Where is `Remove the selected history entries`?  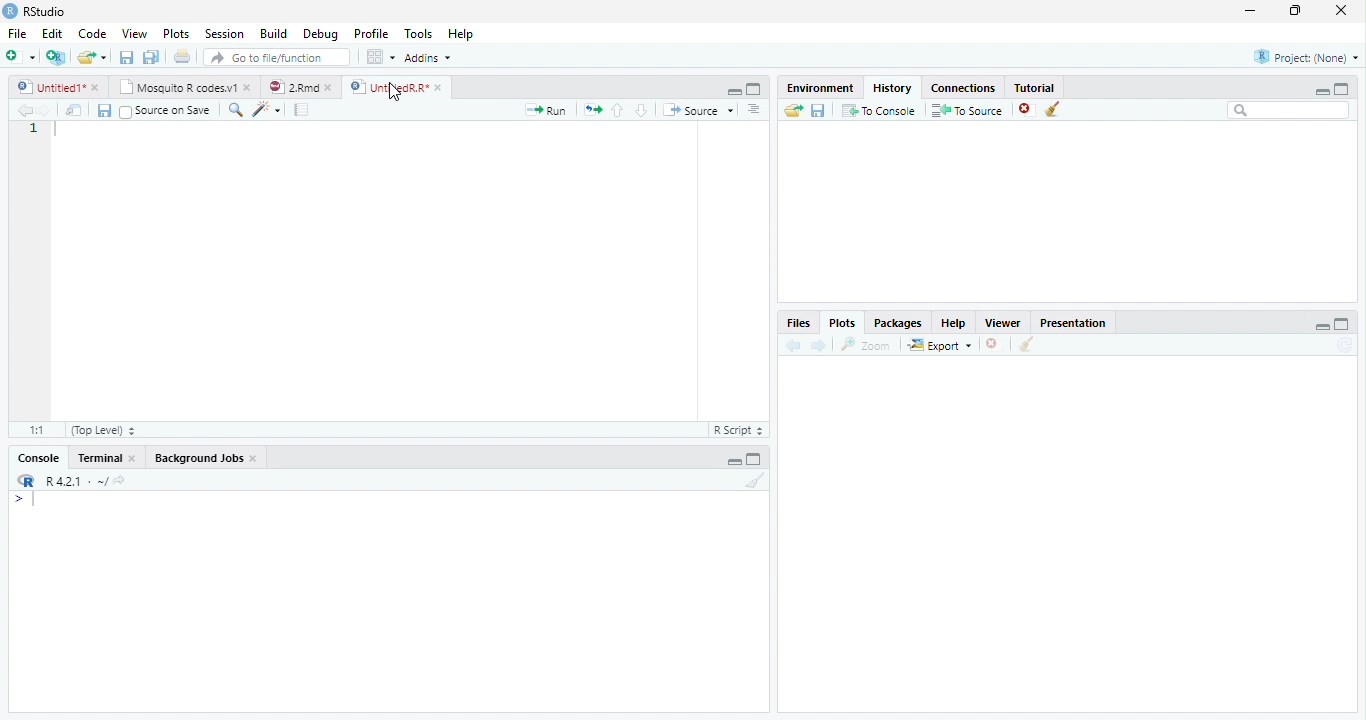
Remove the selected history entries is located at coordinates (1026, 110).